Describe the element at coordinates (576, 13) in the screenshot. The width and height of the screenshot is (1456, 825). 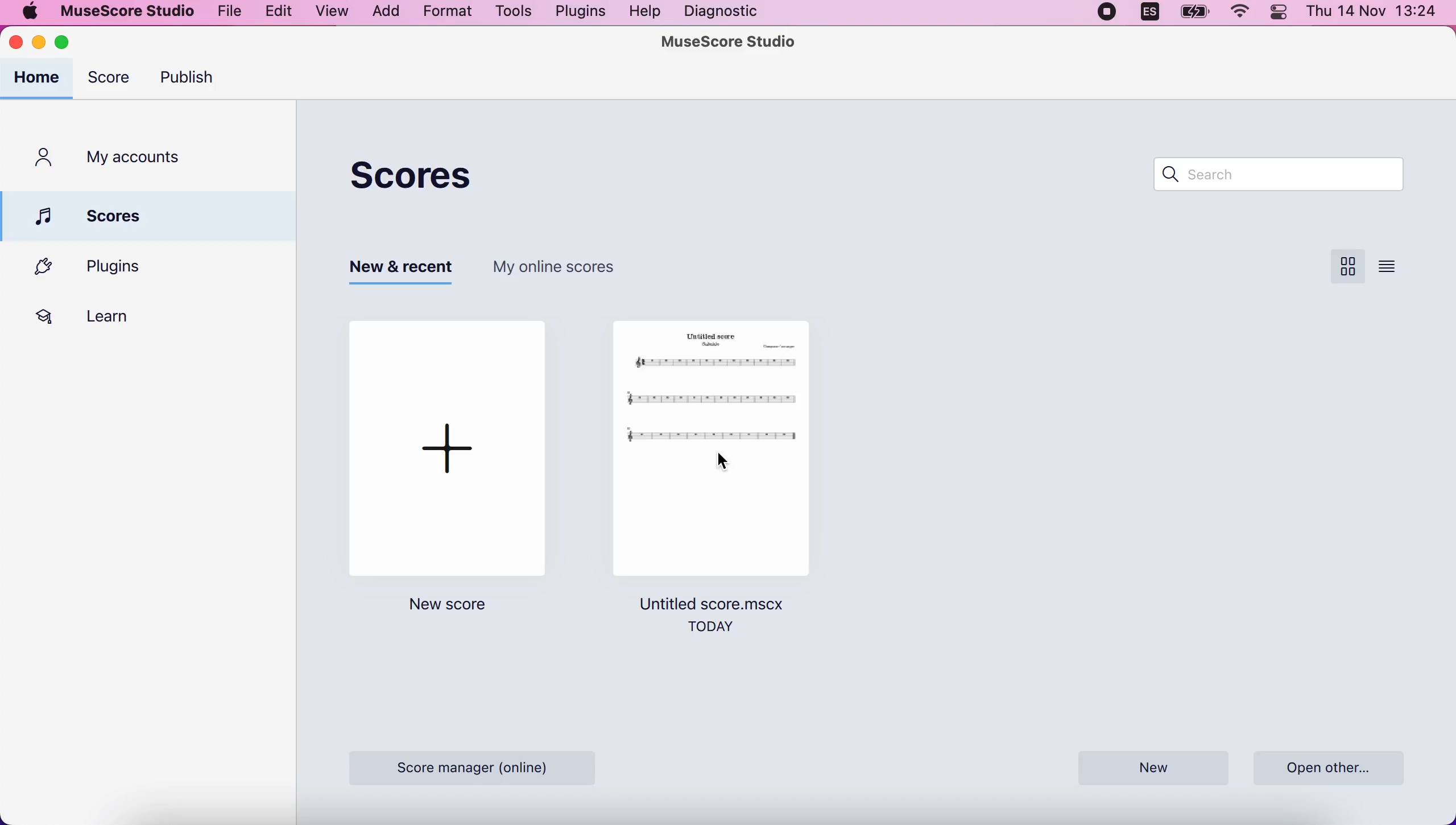
I see `plugins` at that location.